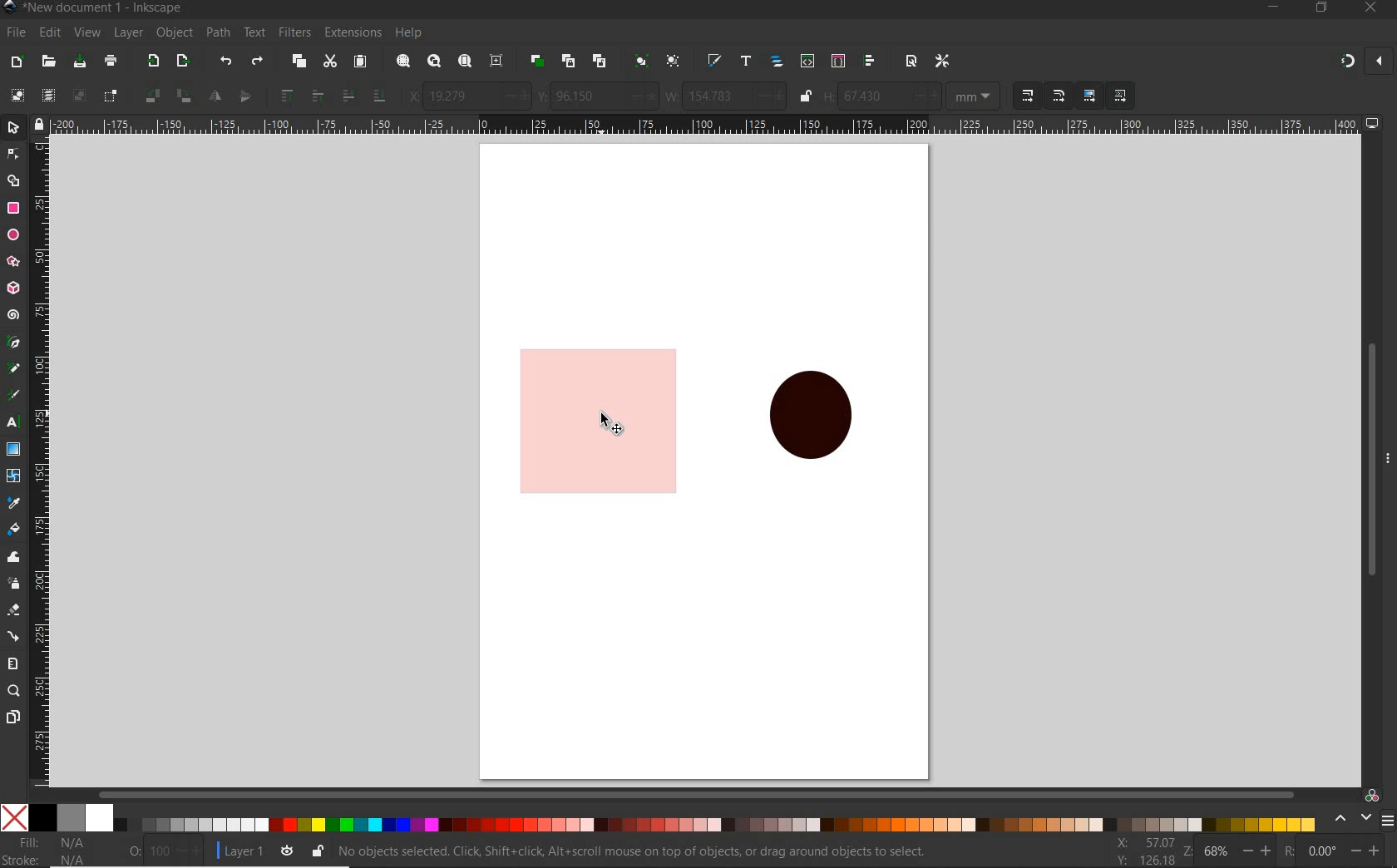 The height and width of the screenshot is (868, 1397). Describe the element at coordinates (111, 96) in the screenshot. I see `toggle selection box` at that location.